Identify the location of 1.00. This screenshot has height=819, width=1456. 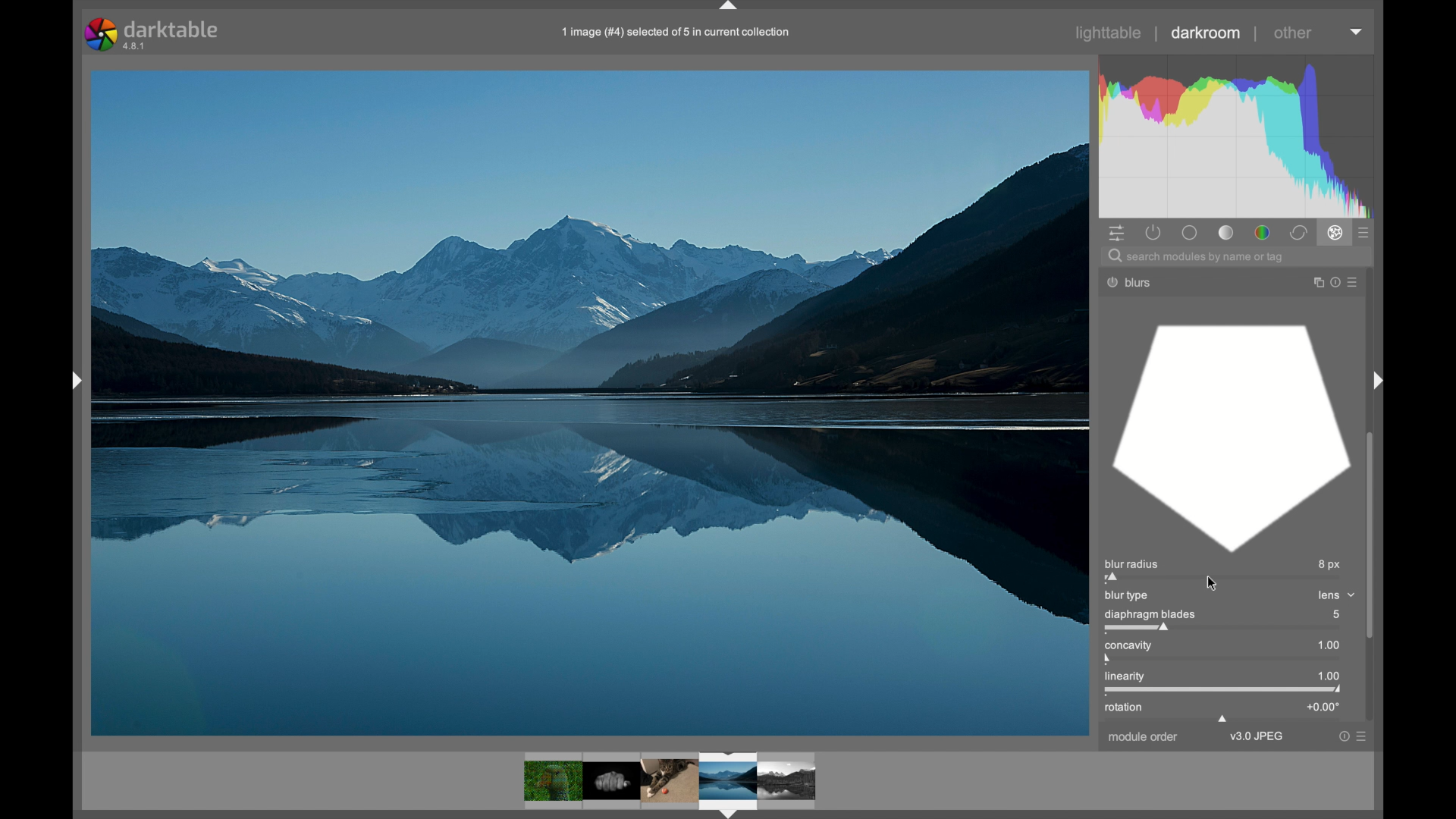
(1329, 645).